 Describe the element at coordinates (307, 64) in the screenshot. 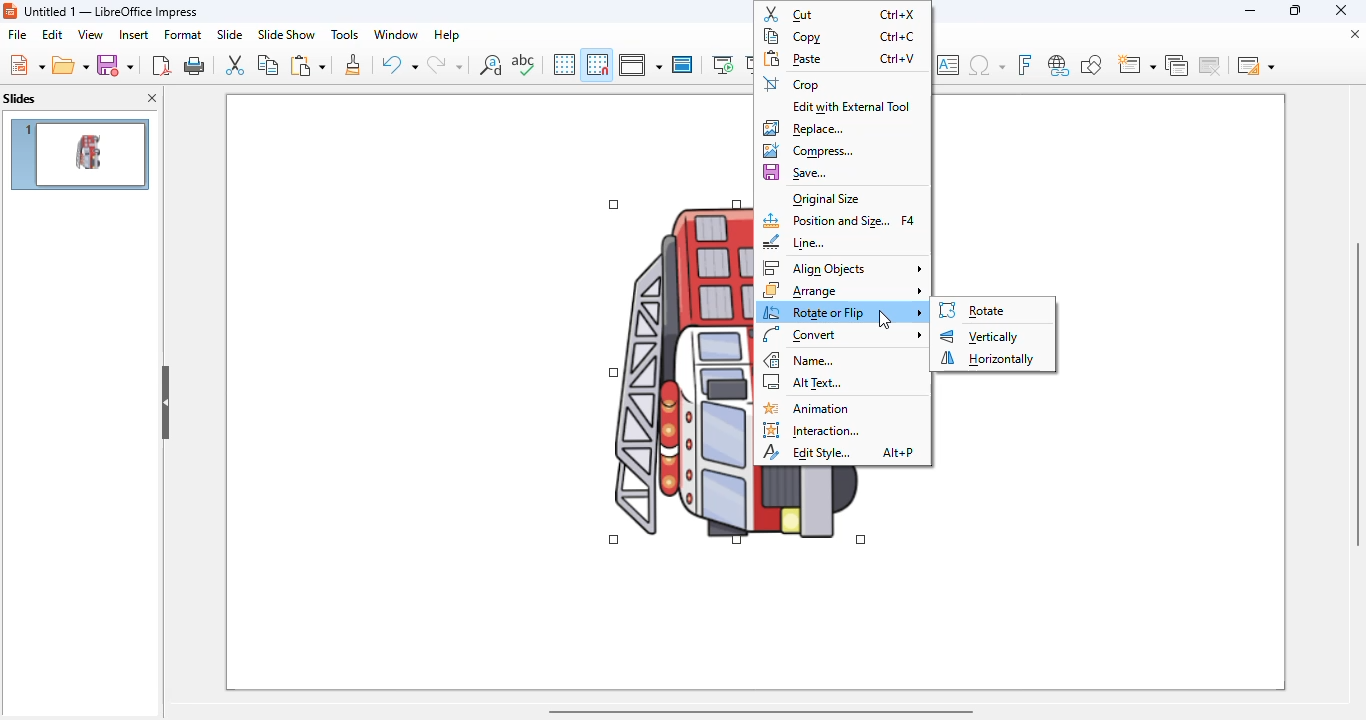

I see `paste` at that location.